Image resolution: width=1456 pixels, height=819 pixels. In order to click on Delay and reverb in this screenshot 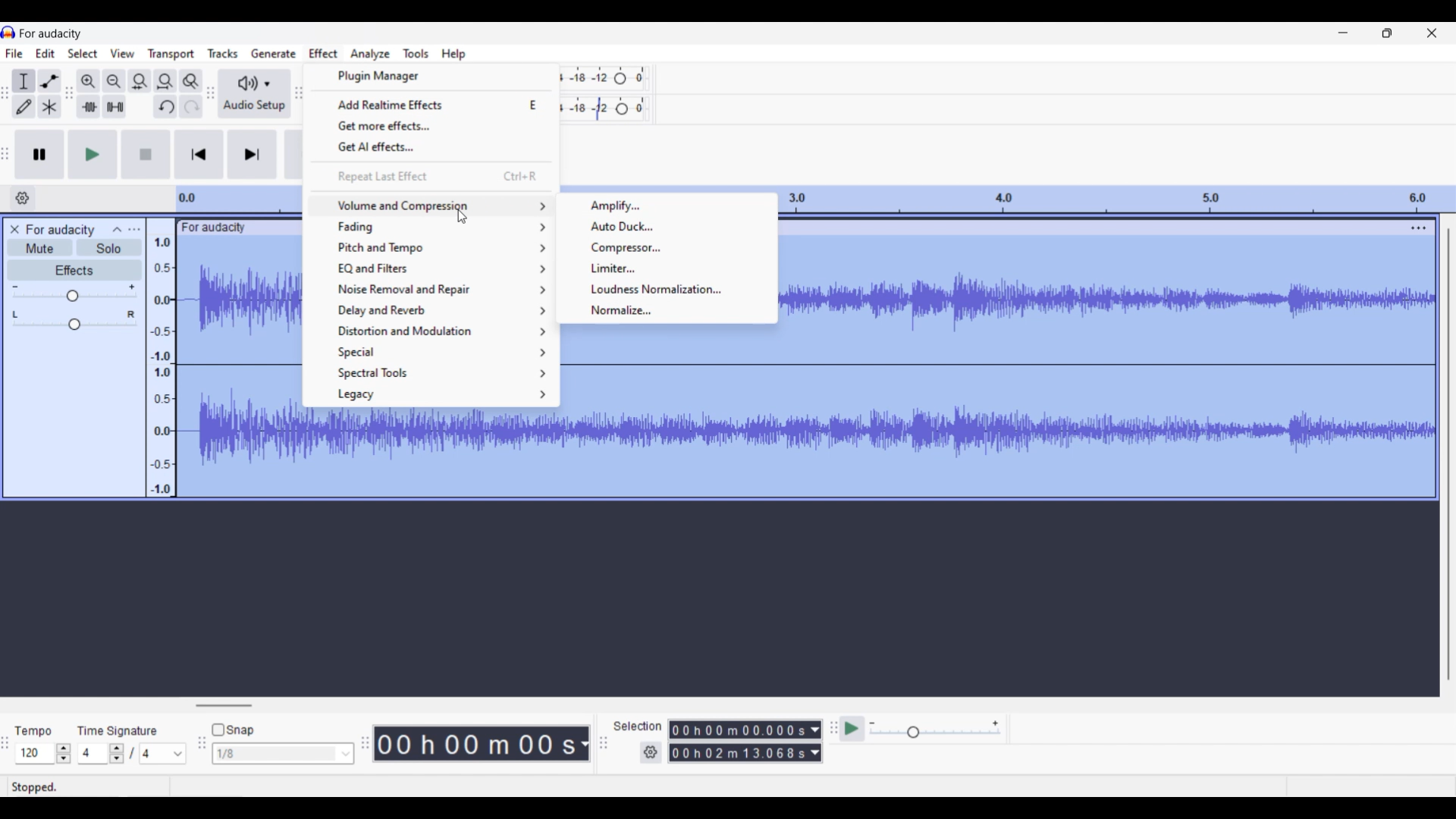, I will do `click(432, 311)`.